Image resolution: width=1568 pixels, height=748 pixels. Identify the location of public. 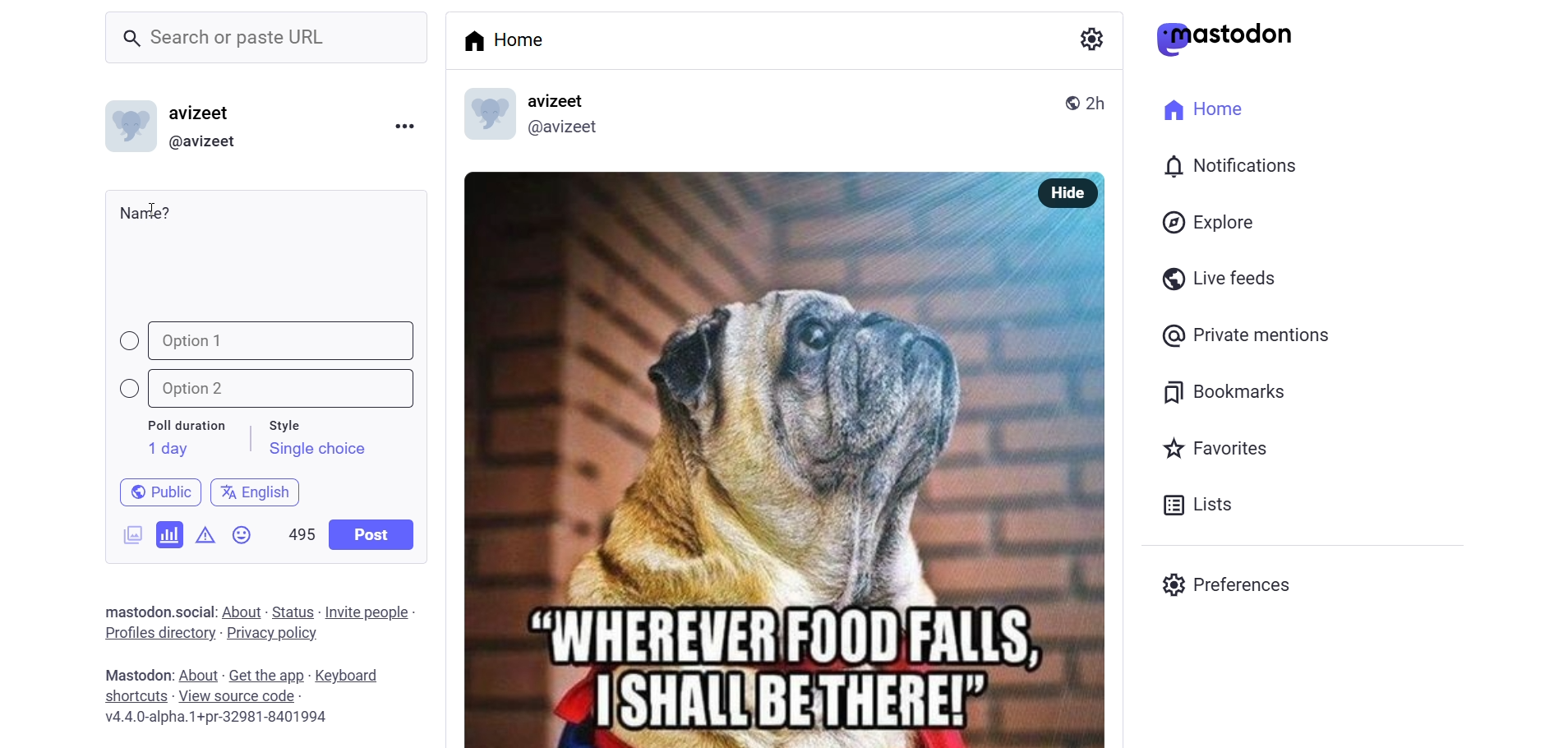
(1066, 101).